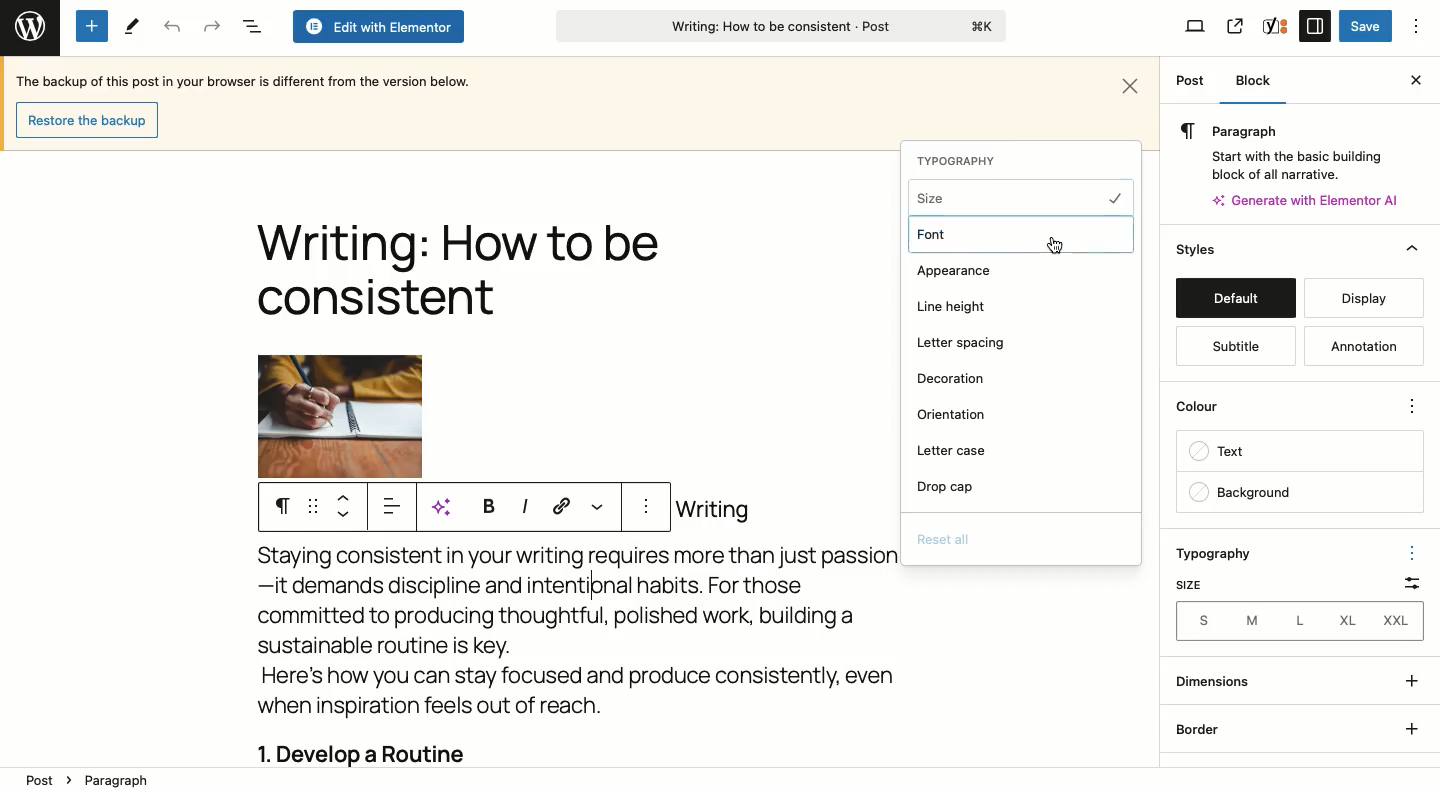 The image size is (1440, 792). What do you see at coordinates (948, 234) in the screenshot?
I see `Font` at bounding box center [948, 234].